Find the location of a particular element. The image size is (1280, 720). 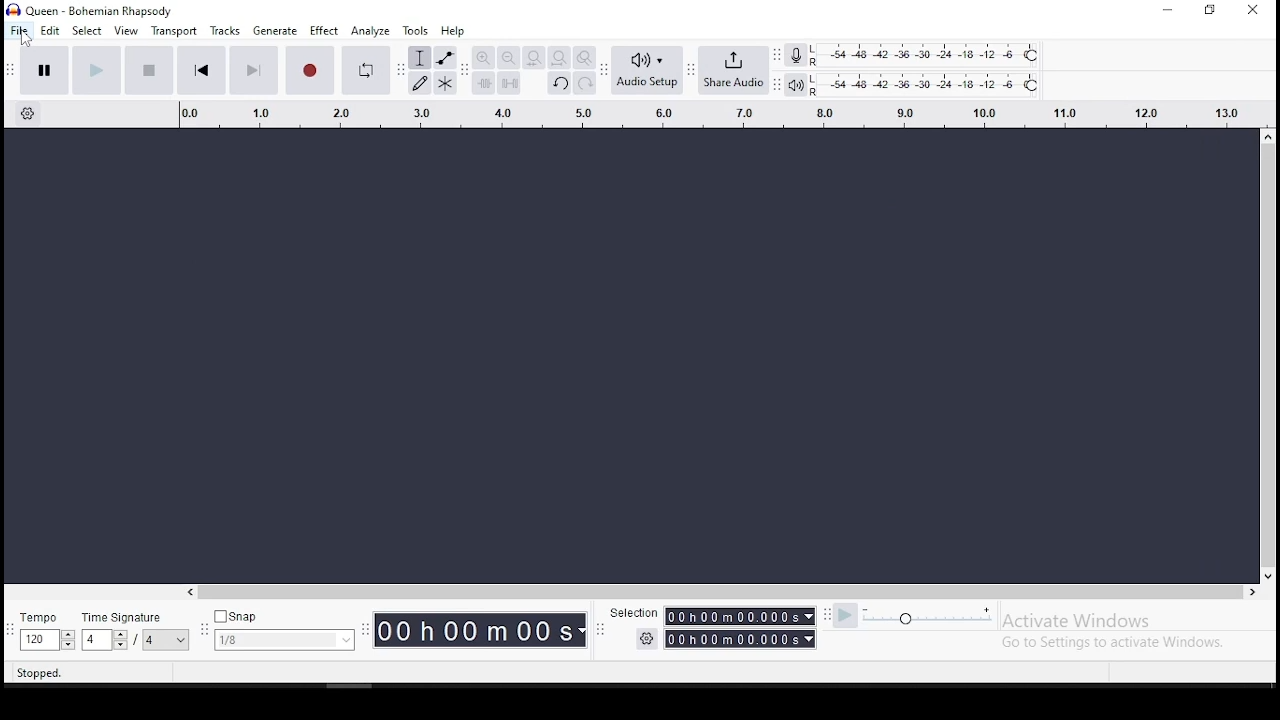

undo is located at coordinates (559, 85).